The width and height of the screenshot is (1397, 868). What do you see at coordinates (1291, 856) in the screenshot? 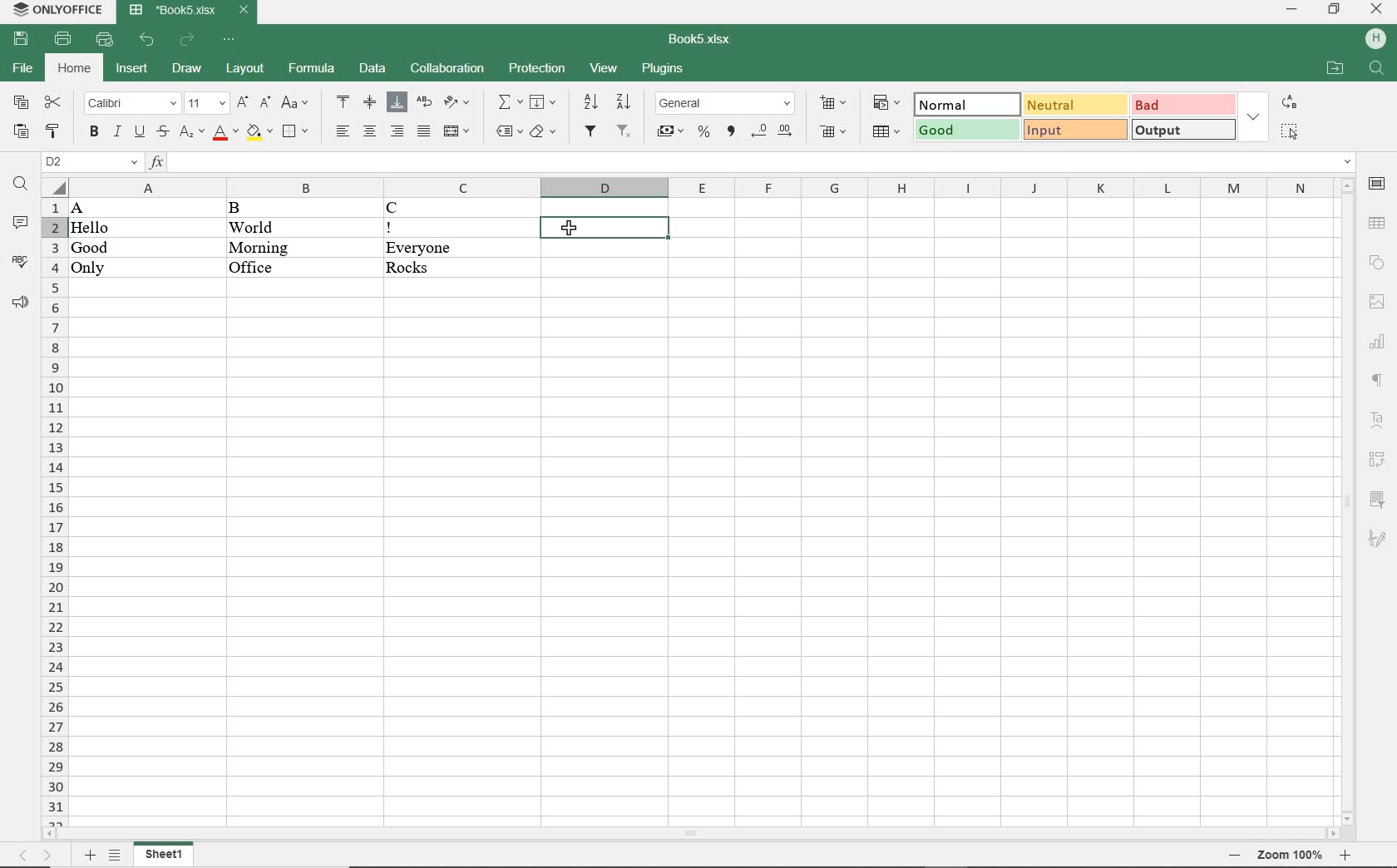
I see `ZOOM OUT OR ZOOM IN` at bounding box center [1291, 856].